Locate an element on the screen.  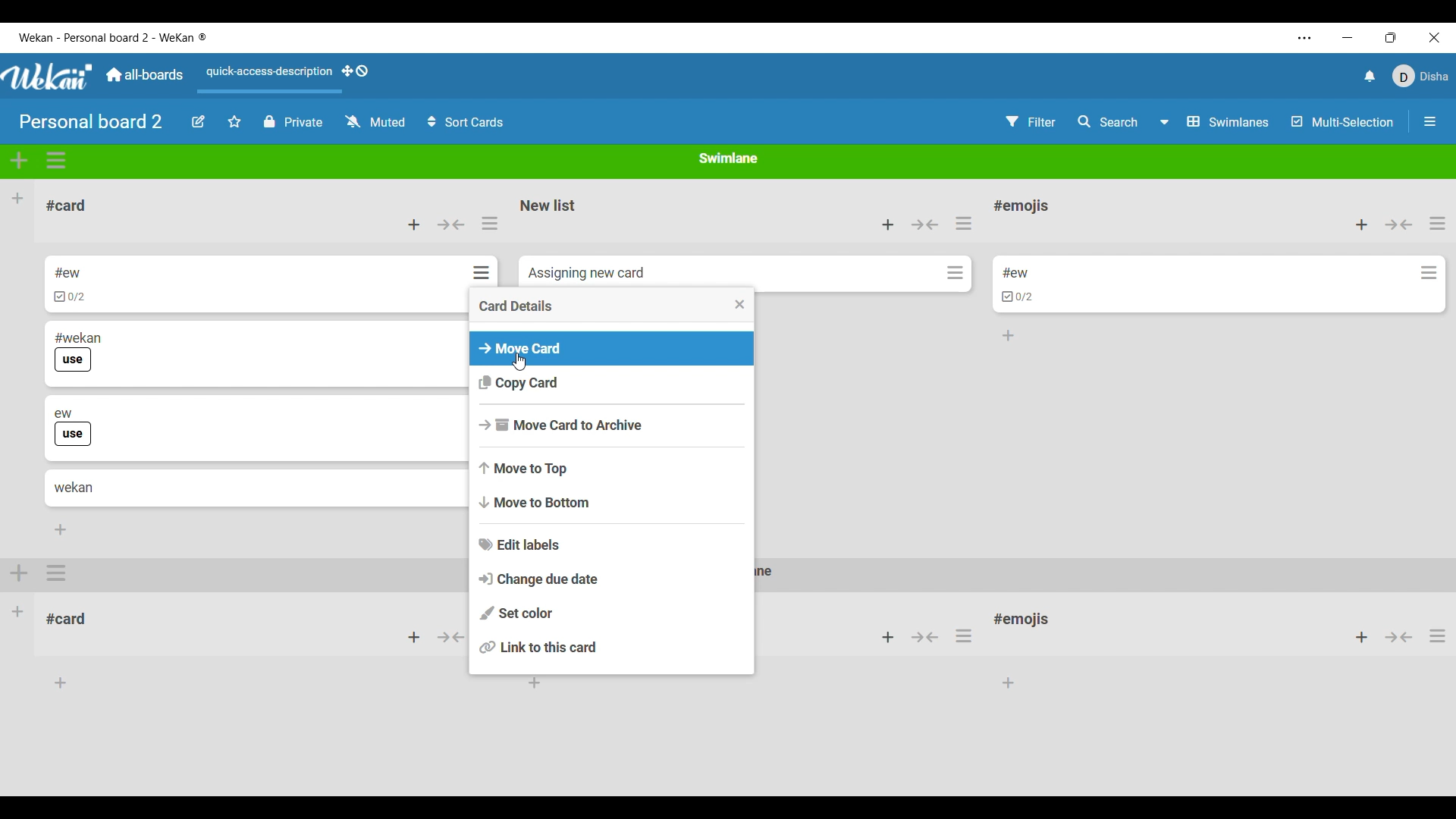
Card title is located at coordinates (74, 488).